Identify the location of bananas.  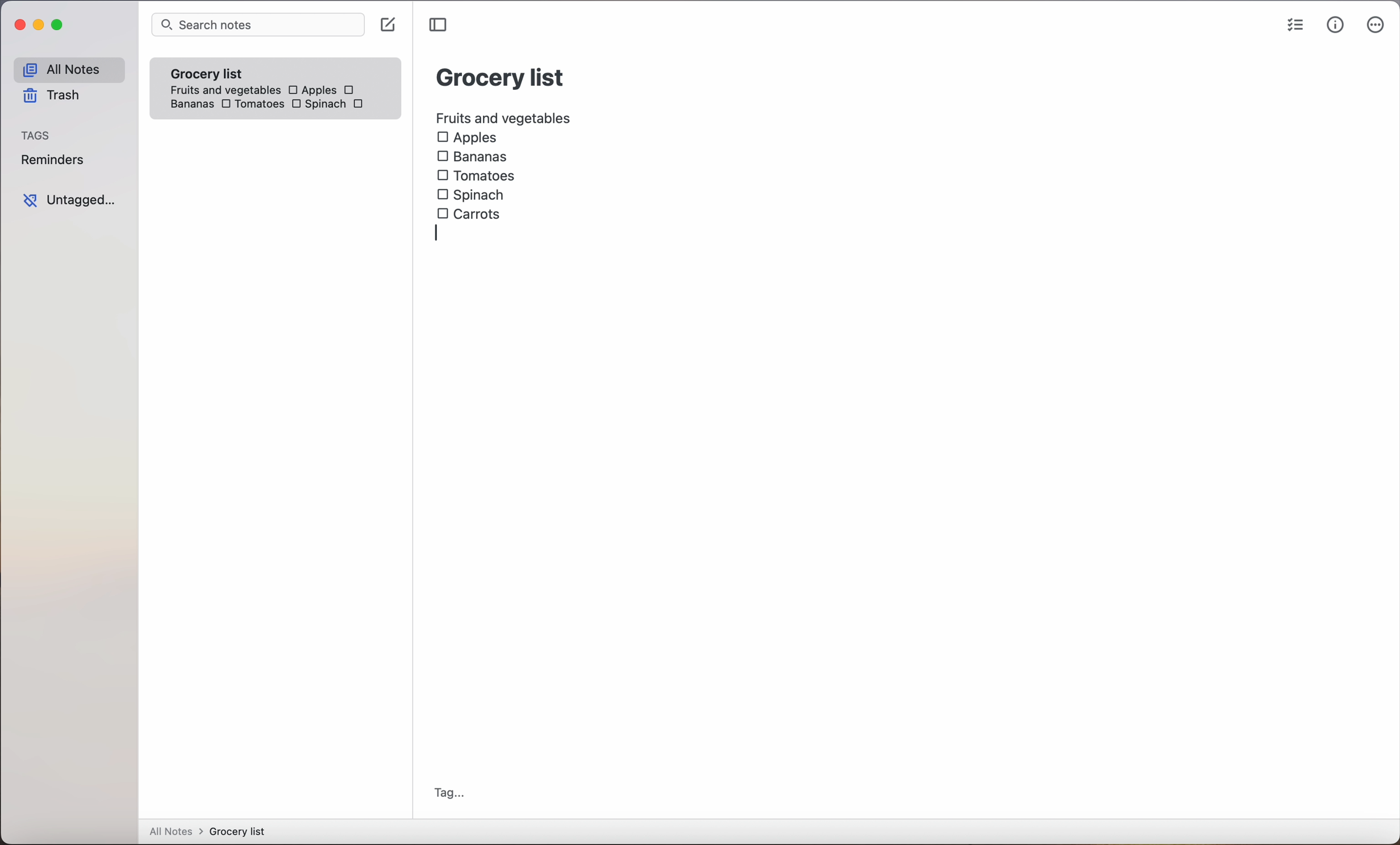
(190, 104).